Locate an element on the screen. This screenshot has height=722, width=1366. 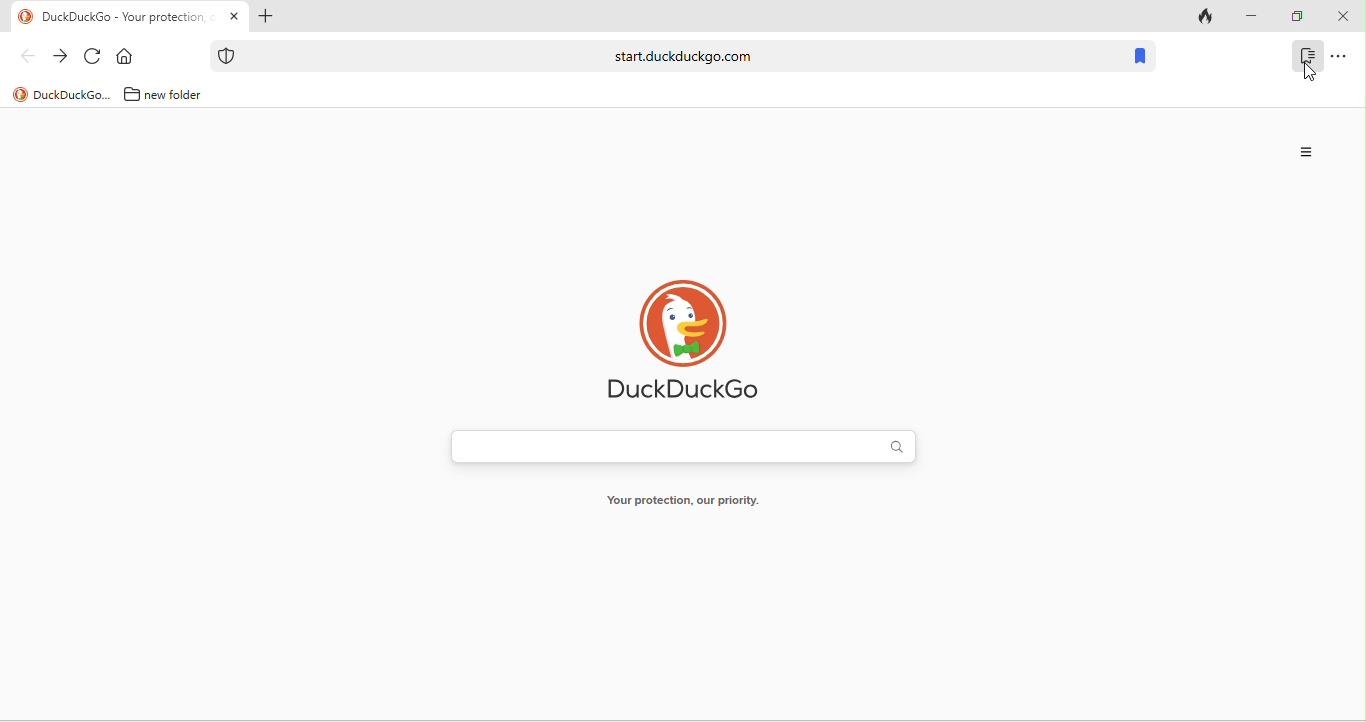
home is located at coordinates (129, 57).